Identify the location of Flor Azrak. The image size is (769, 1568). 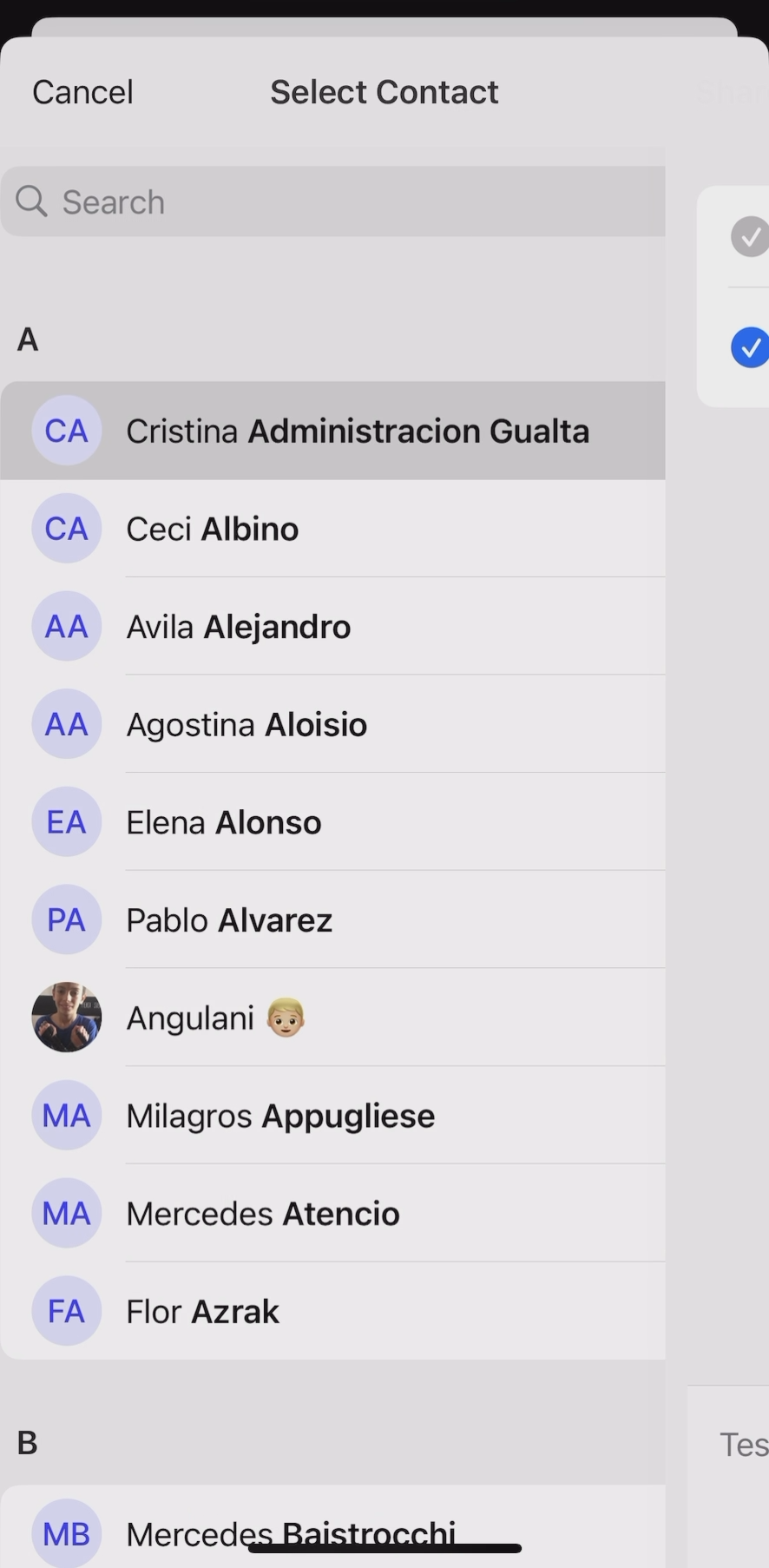
(169, 1307).